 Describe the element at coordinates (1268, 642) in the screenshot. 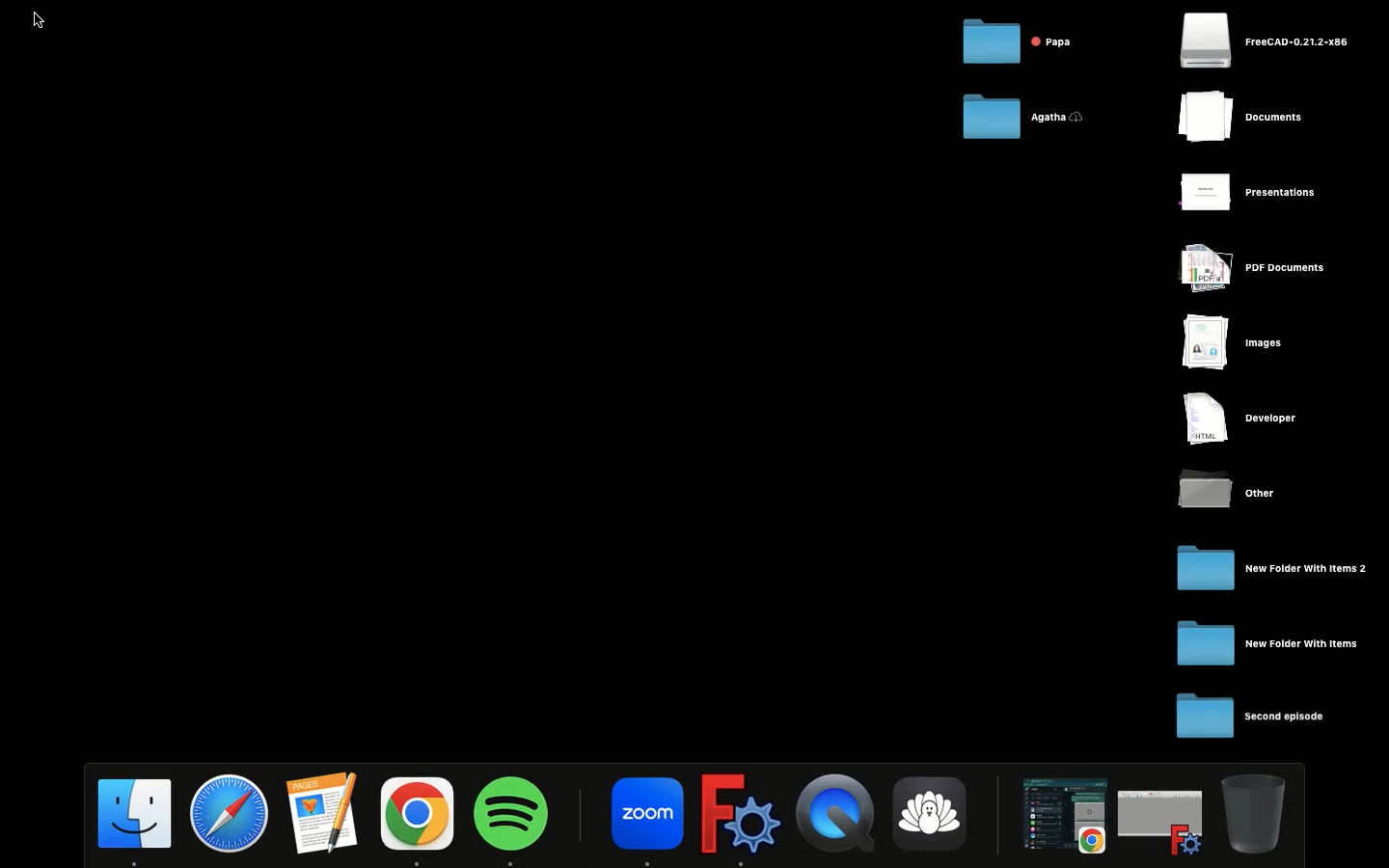

I see `Folder` at that location.